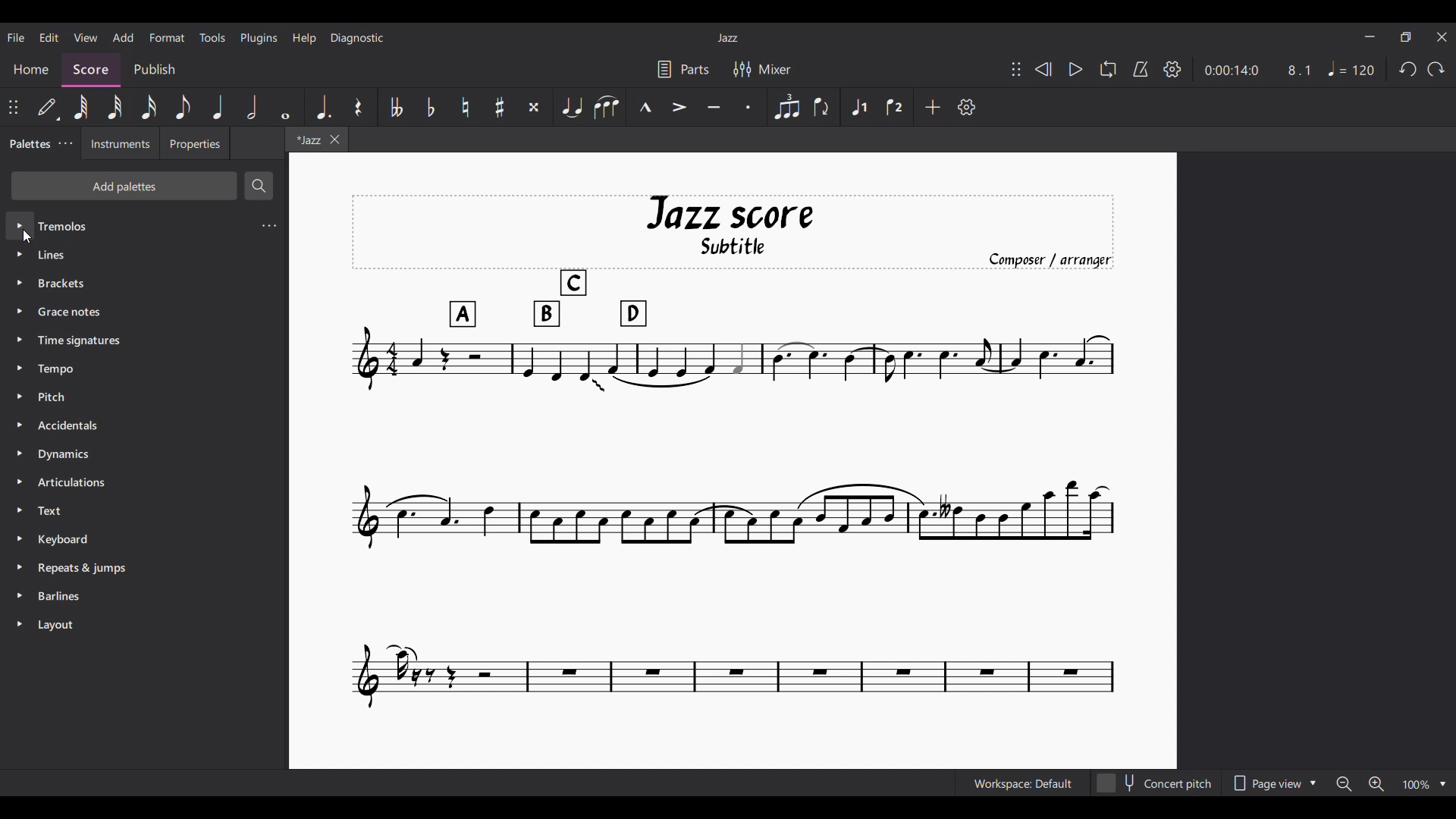 This screenshot has width=1456, height=819. I want to click on Voice 2, so click(894, 106).